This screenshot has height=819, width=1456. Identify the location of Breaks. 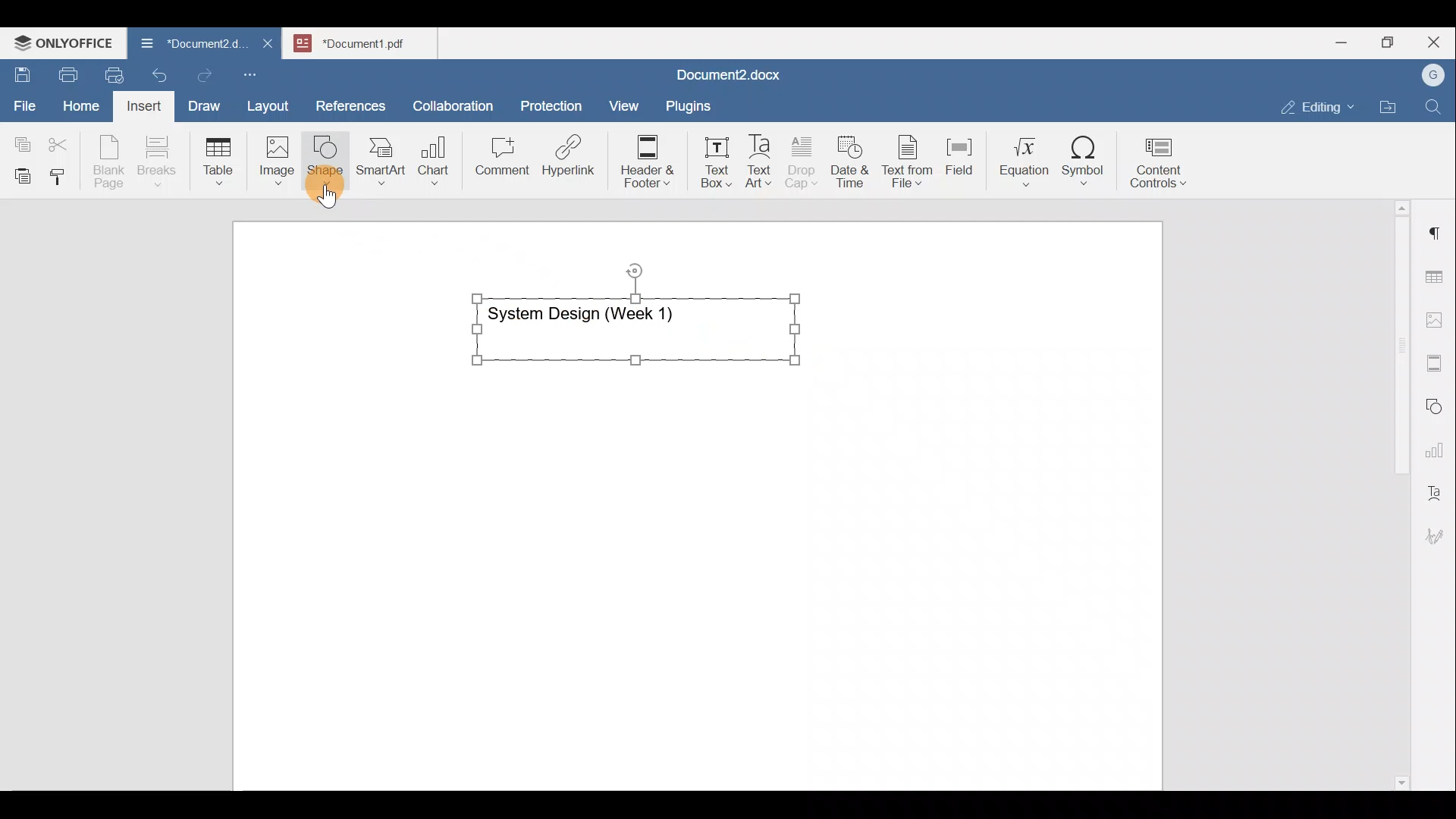
(156, 162).